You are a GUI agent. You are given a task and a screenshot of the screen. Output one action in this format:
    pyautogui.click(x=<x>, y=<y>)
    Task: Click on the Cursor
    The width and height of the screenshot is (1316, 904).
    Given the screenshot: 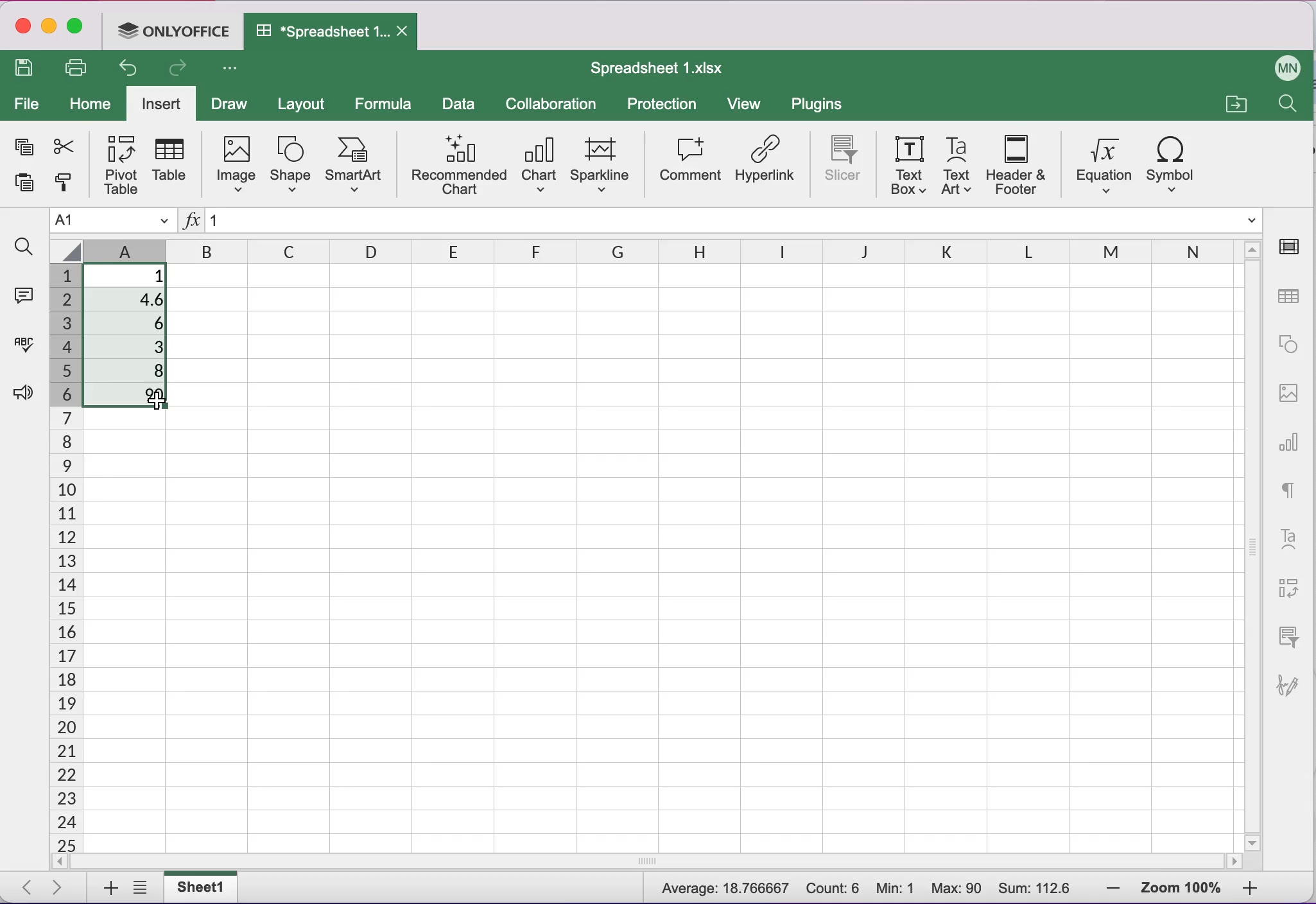 What is the action you would take?
    pyautogui.click(x=152, y=403)
    